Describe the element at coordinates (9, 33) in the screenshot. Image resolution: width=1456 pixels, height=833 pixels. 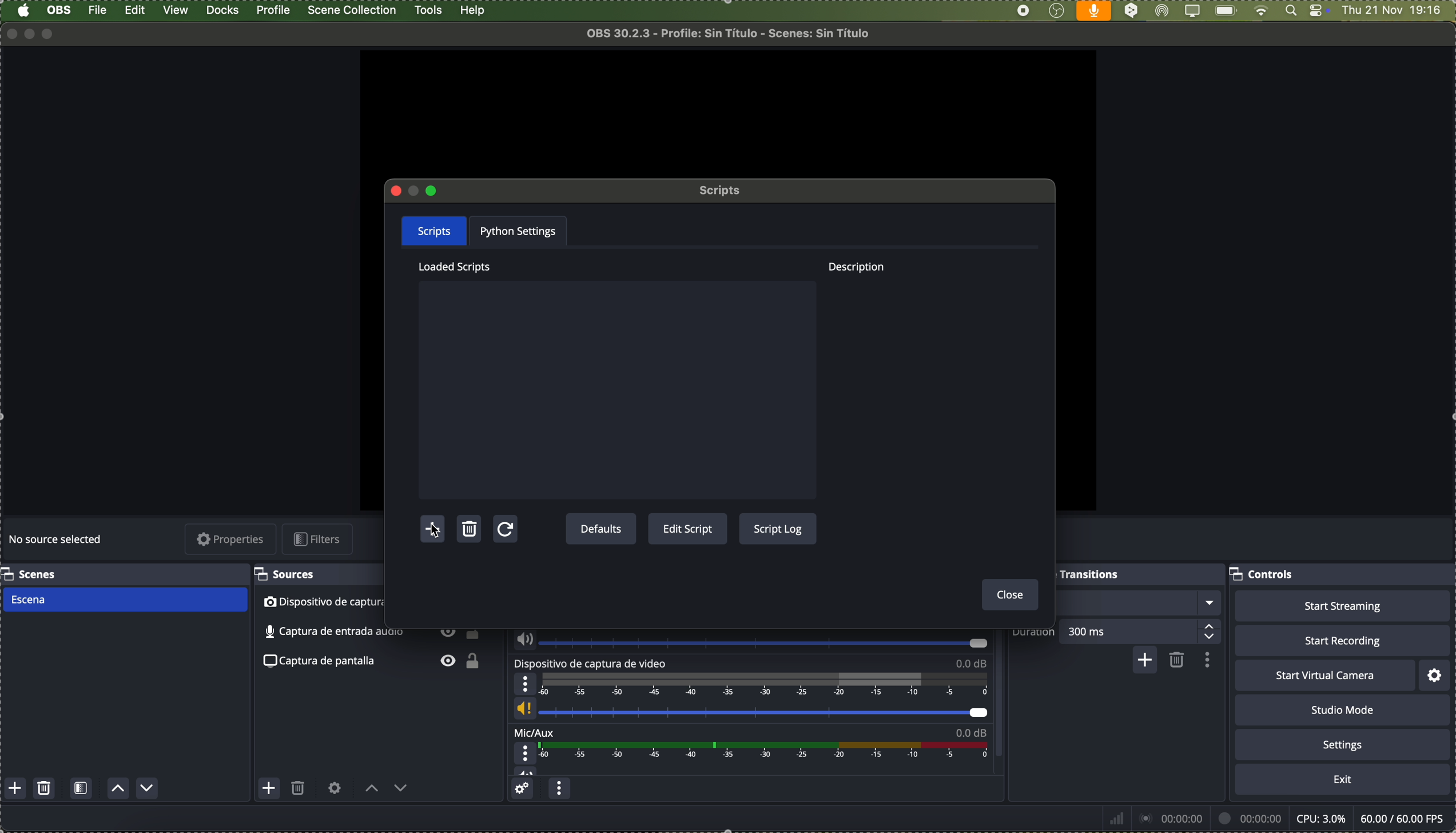
I see `close program` at that location.